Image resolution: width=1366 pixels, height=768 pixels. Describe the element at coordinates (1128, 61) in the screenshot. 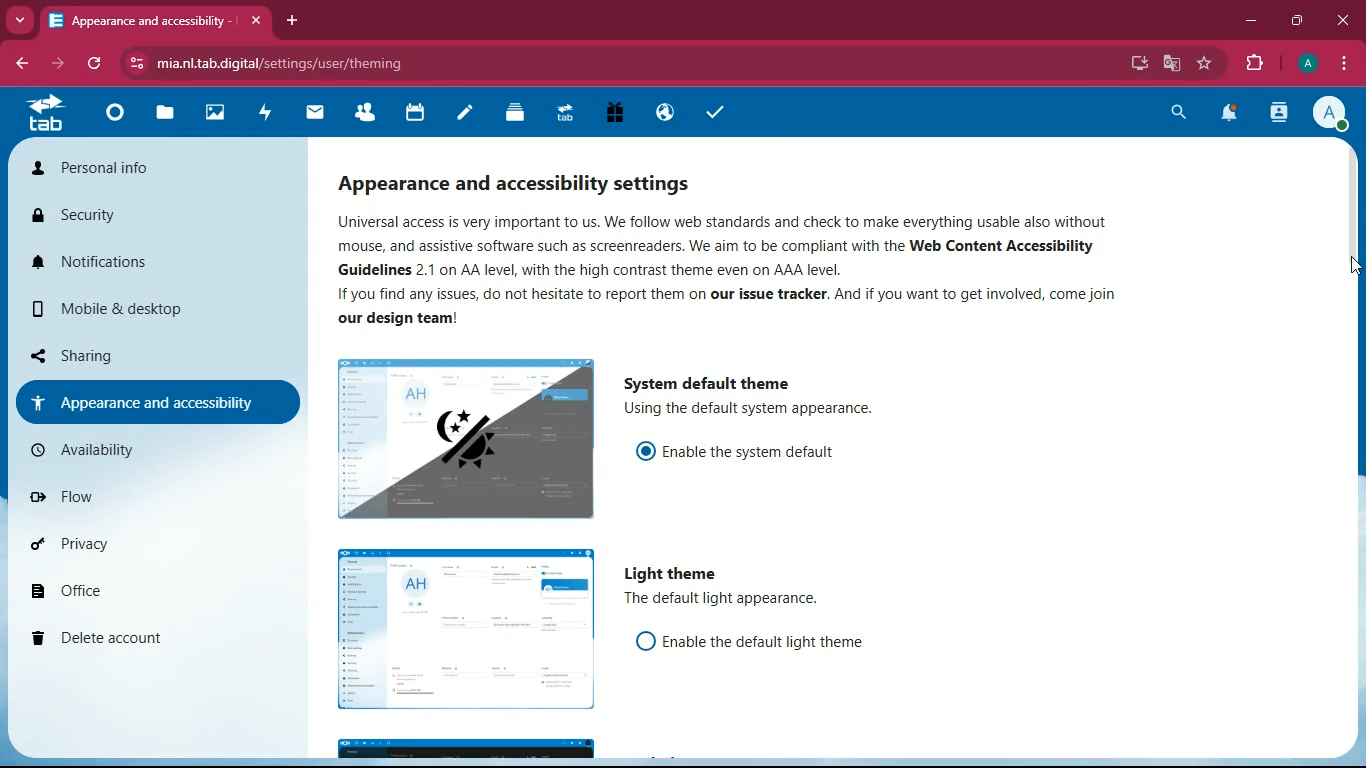

I see `desktop` at that location.